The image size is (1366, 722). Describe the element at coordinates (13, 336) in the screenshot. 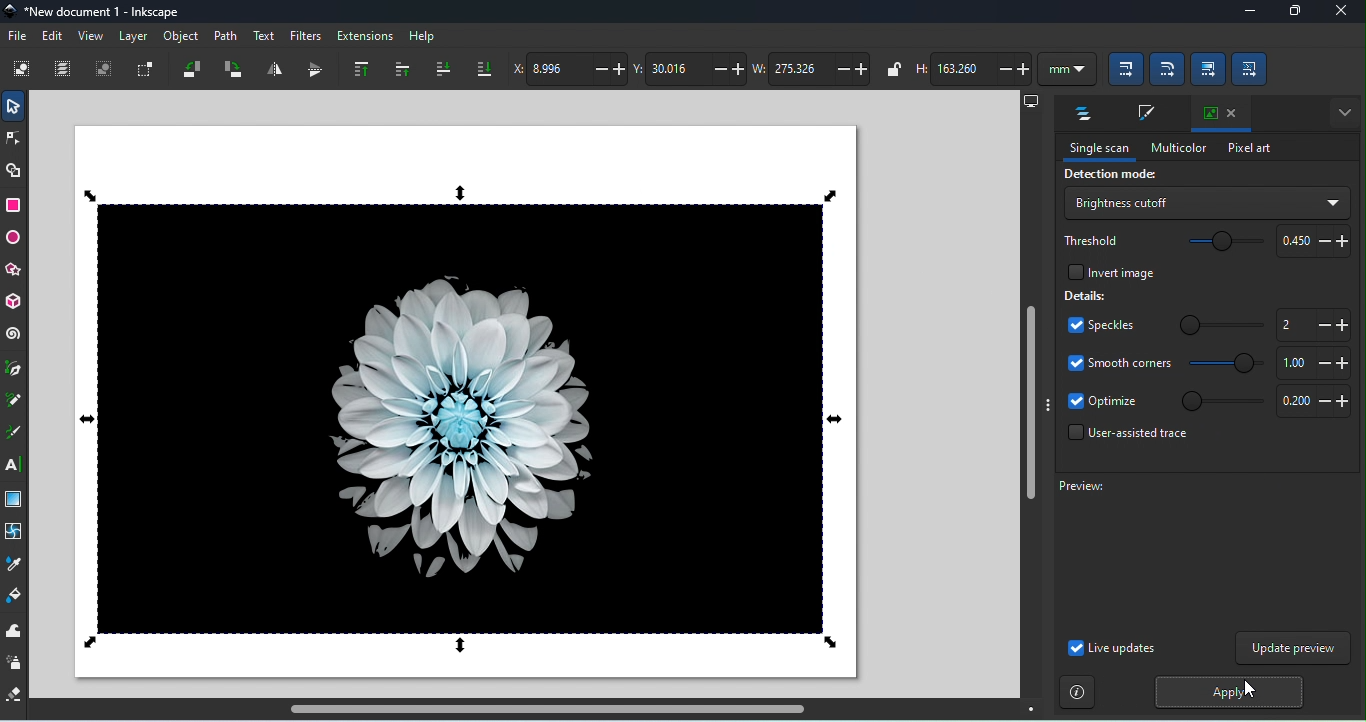

I see `Spiral tool` at that location.